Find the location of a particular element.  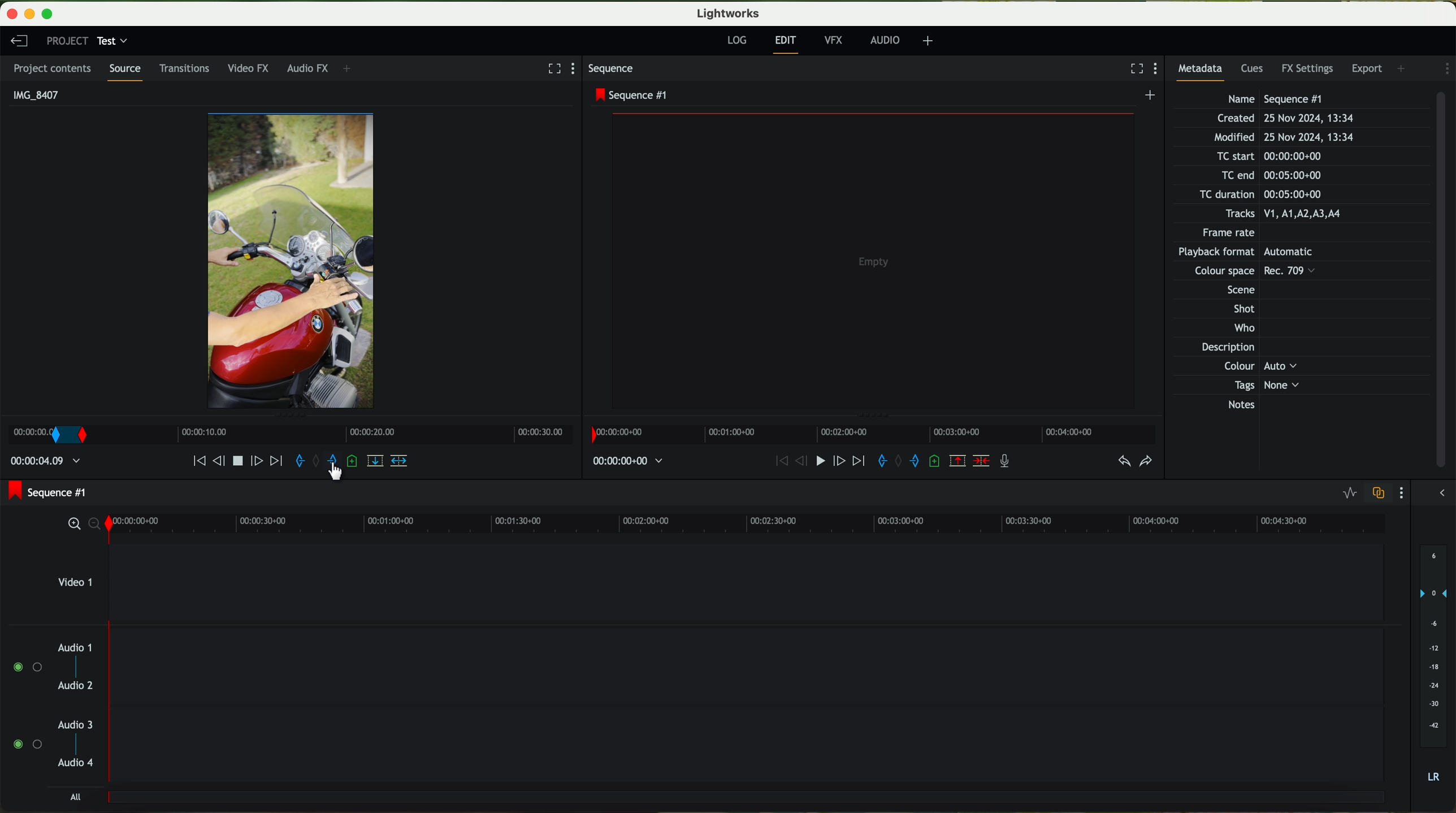

log is located at coordinates (738, 41).